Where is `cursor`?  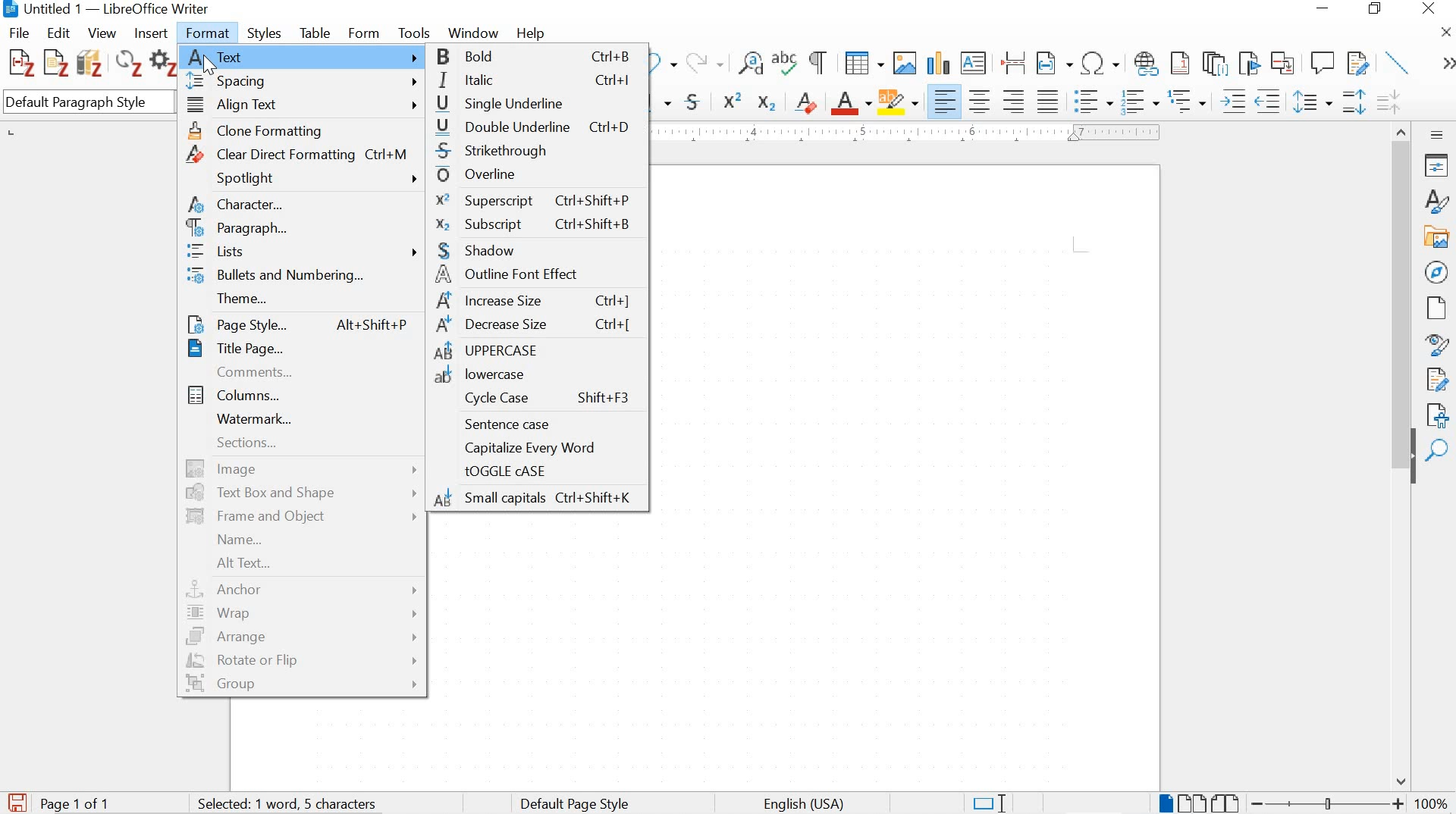 cursor is located at coordinates (214, 66).